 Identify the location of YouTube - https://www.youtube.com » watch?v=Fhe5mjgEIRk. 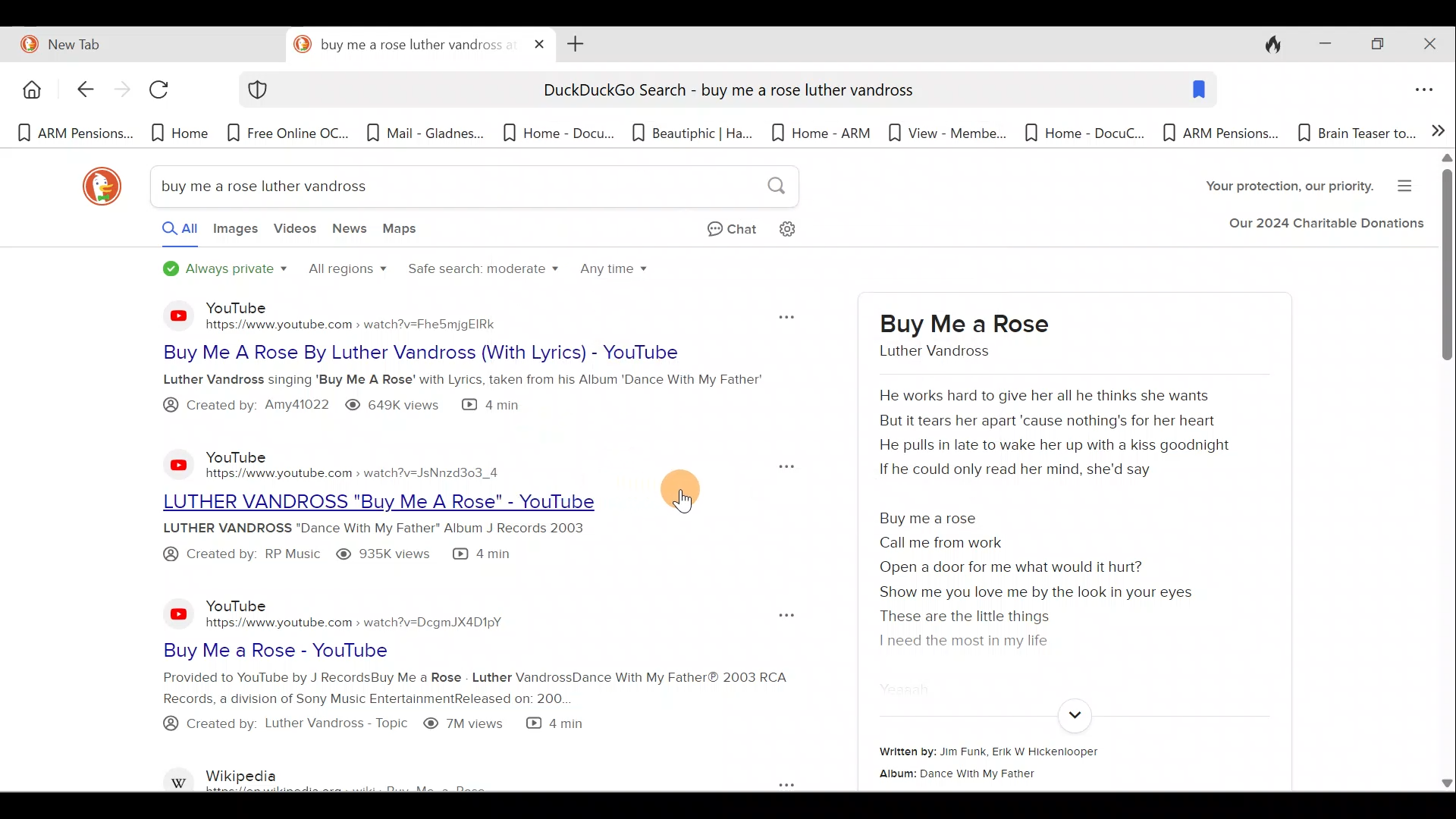
(373, 315).